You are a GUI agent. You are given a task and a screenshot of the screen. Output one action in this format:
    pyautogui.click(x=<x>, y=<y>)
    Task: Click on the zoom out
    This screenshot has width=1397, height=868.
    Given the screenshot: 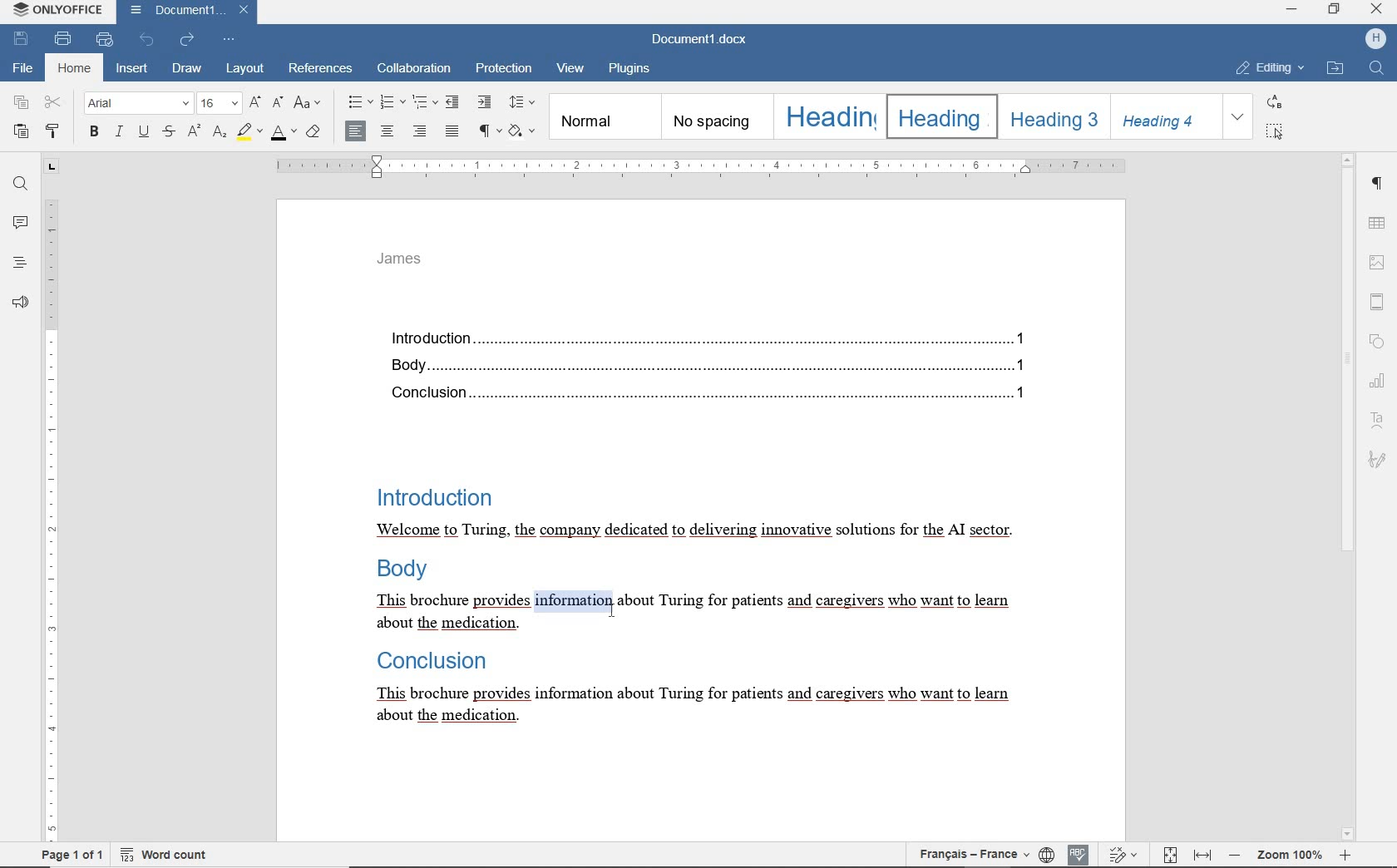 What is the action you would take?
    pyautogui.click(x=1234, y=856)
    